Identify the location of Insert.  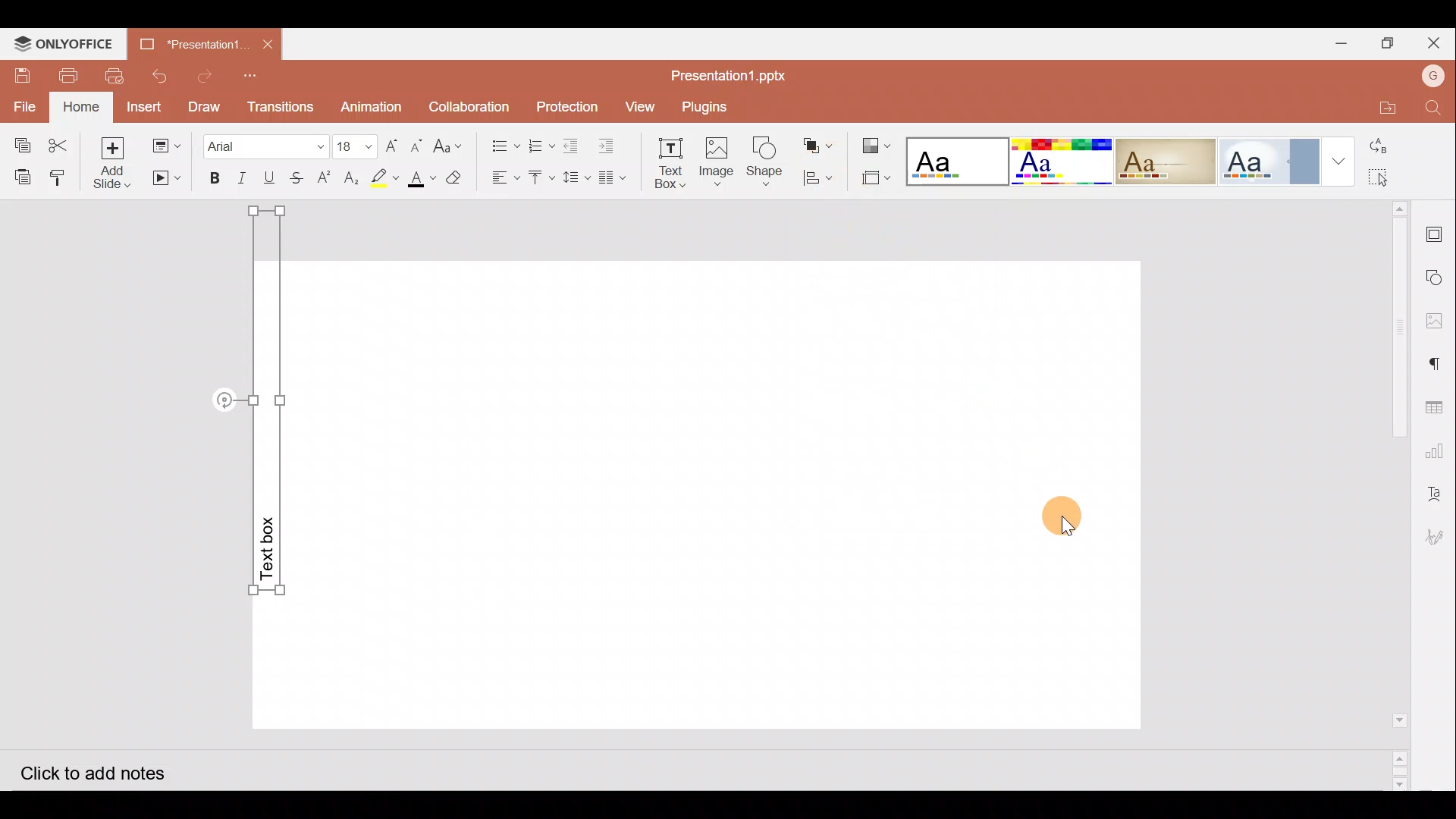
(144, 107).